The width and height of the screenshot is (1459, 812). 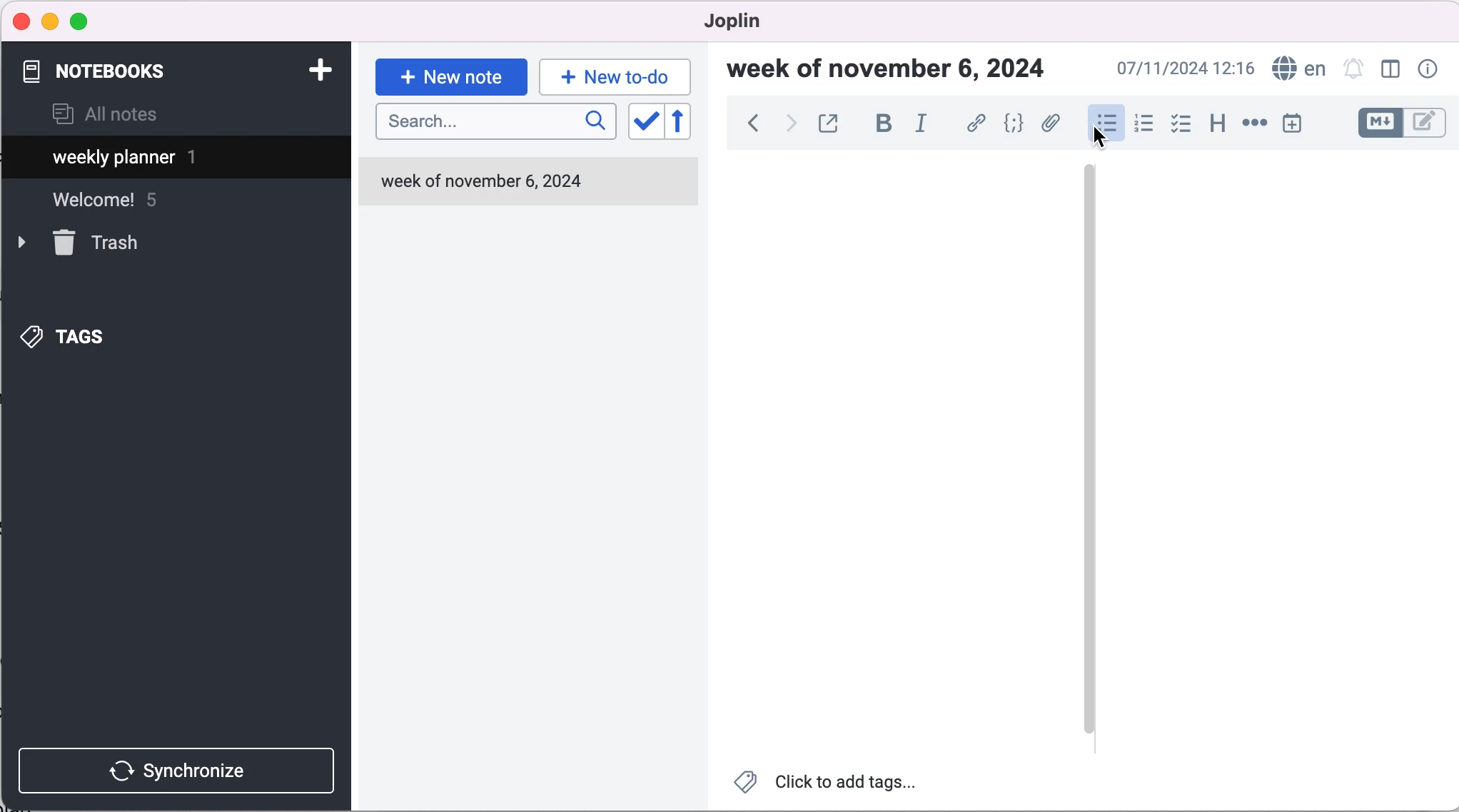 I want to click on vertical slider, so click(x=1090, y=451).